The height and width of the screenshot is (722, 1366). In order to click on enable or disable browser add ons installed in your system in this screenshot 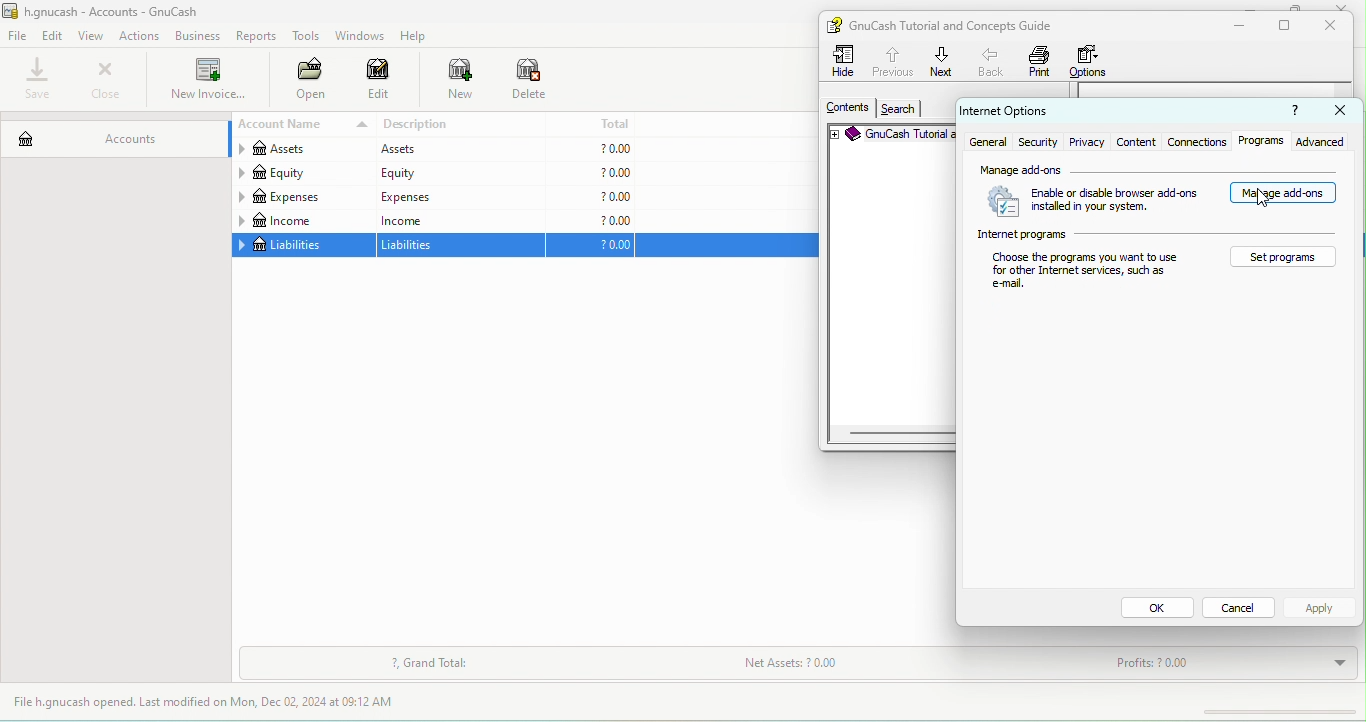, I will do `click(1093, 201)`.